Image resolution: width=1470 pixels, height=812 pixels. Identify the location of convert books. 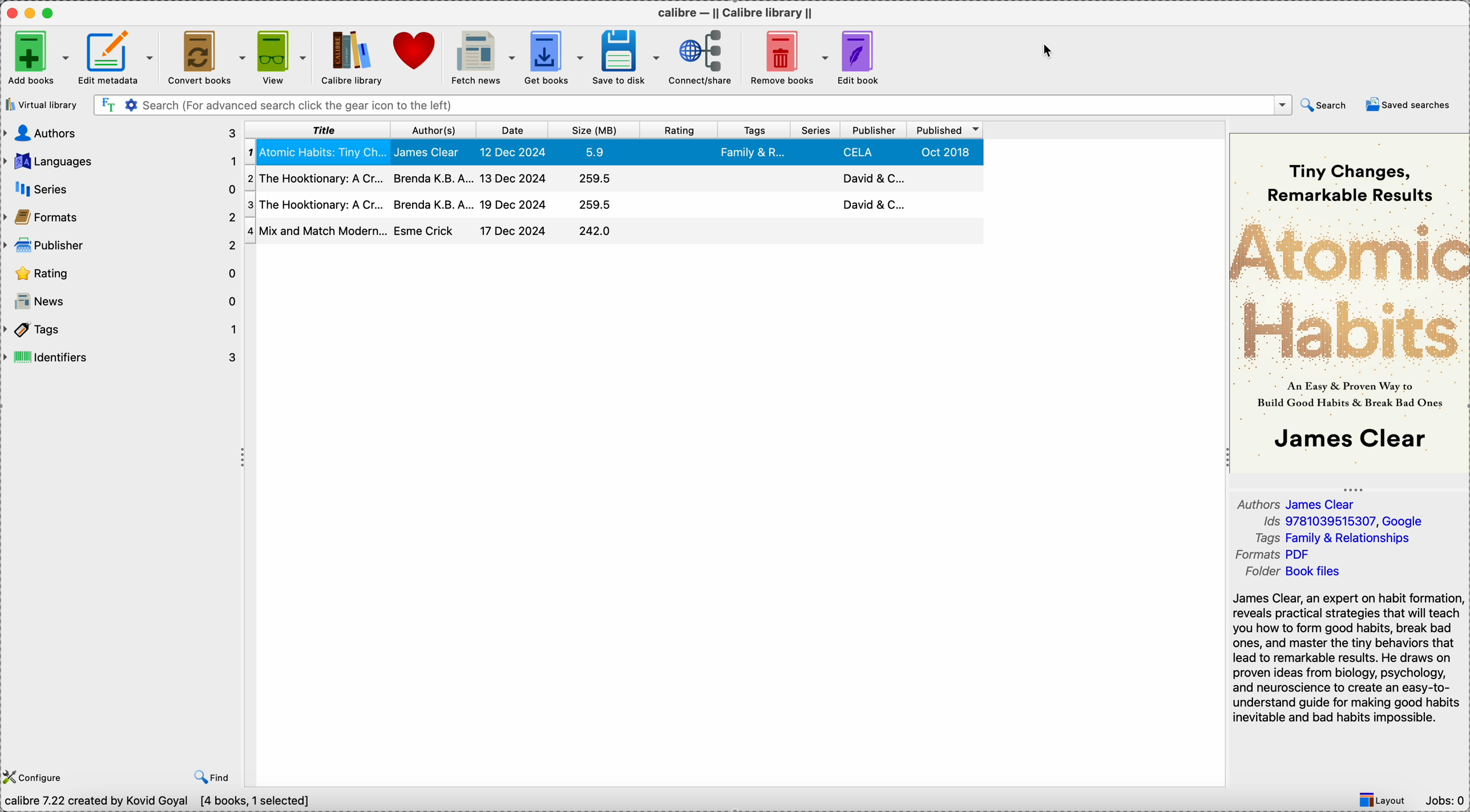
(205, 58).